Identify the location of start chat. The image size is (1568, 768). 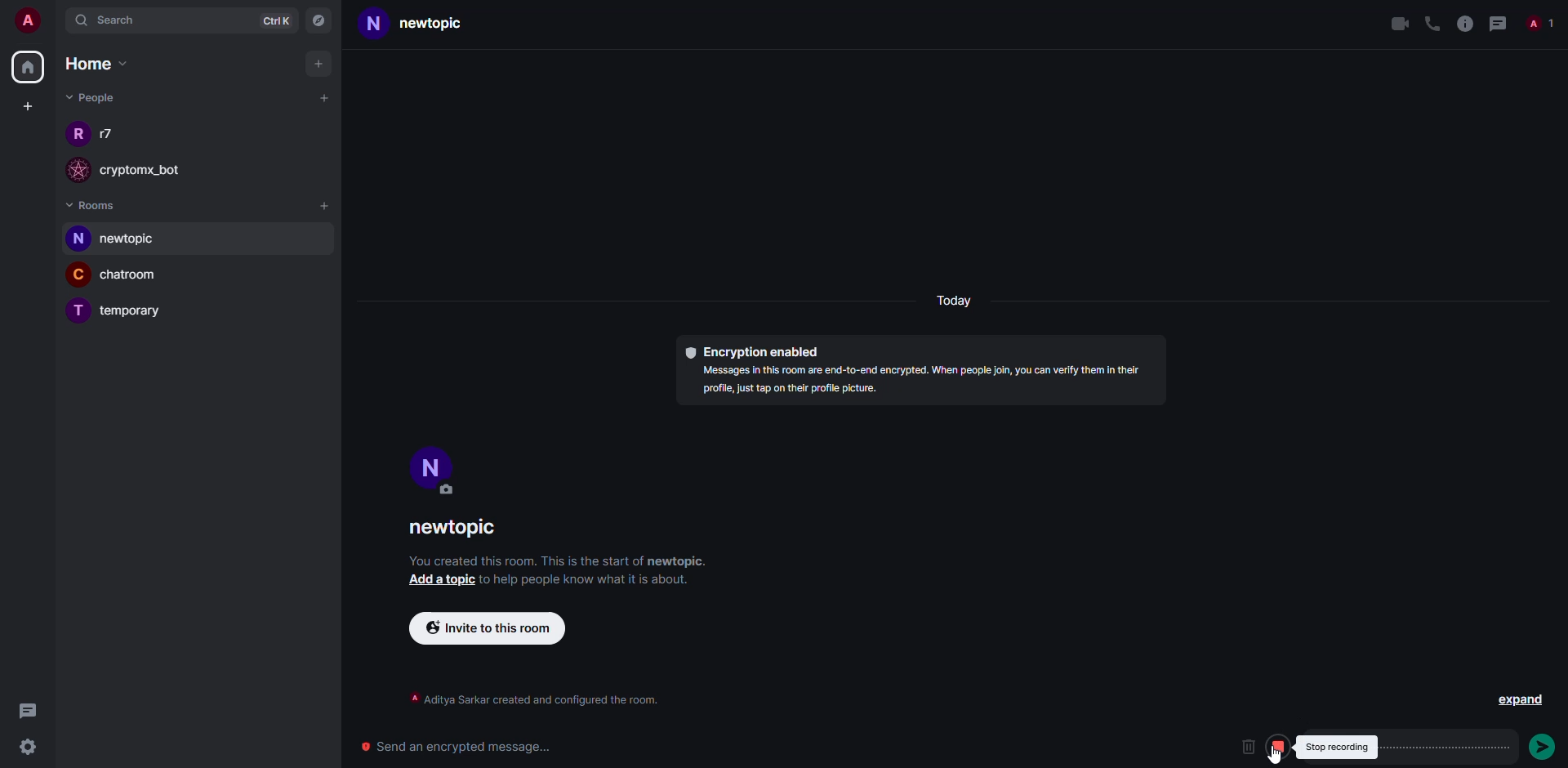
(323, 98).